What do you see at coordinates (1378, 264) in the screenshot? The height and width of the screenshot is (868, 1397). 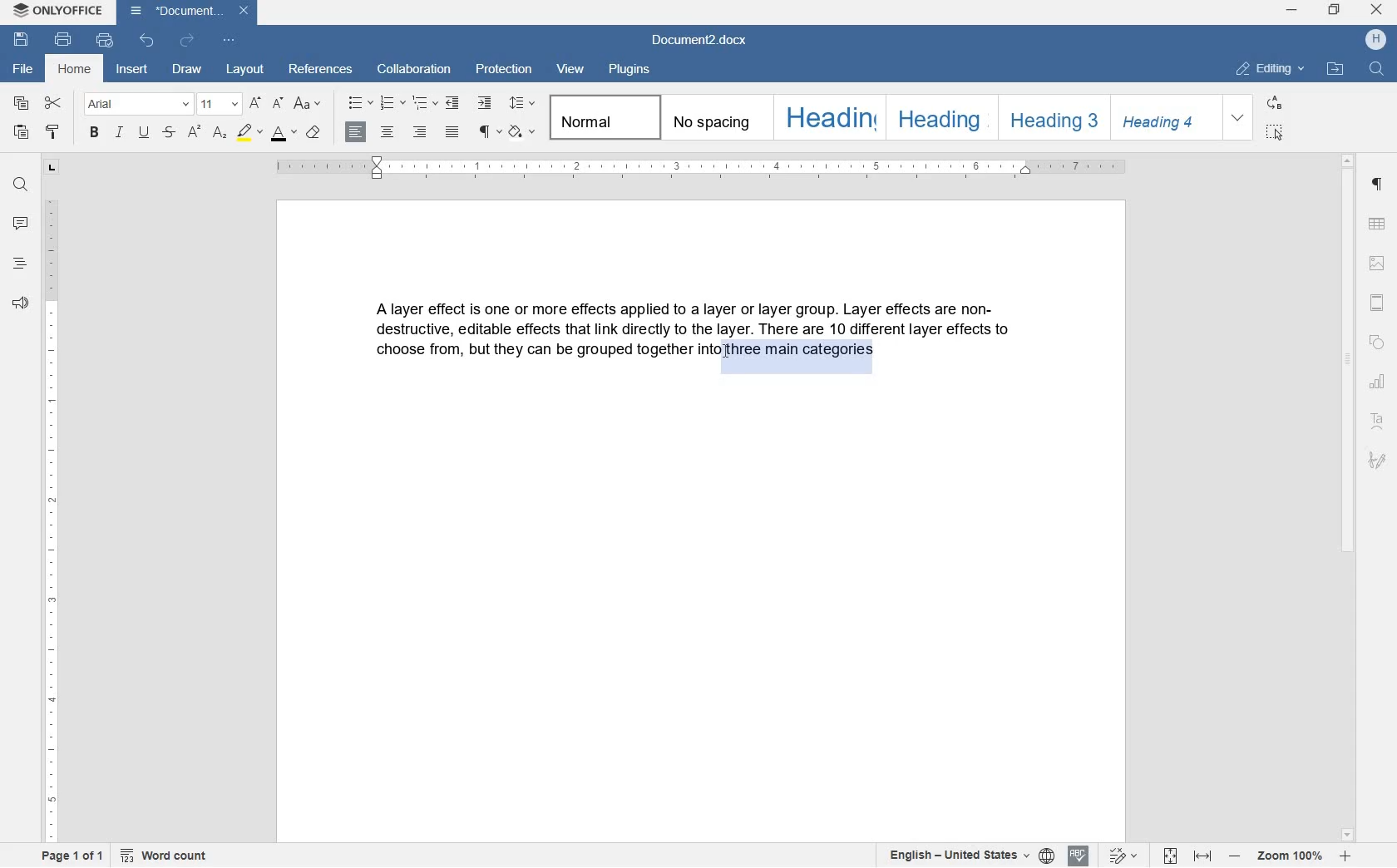 I see `image` at bounding box center [1378, 264].